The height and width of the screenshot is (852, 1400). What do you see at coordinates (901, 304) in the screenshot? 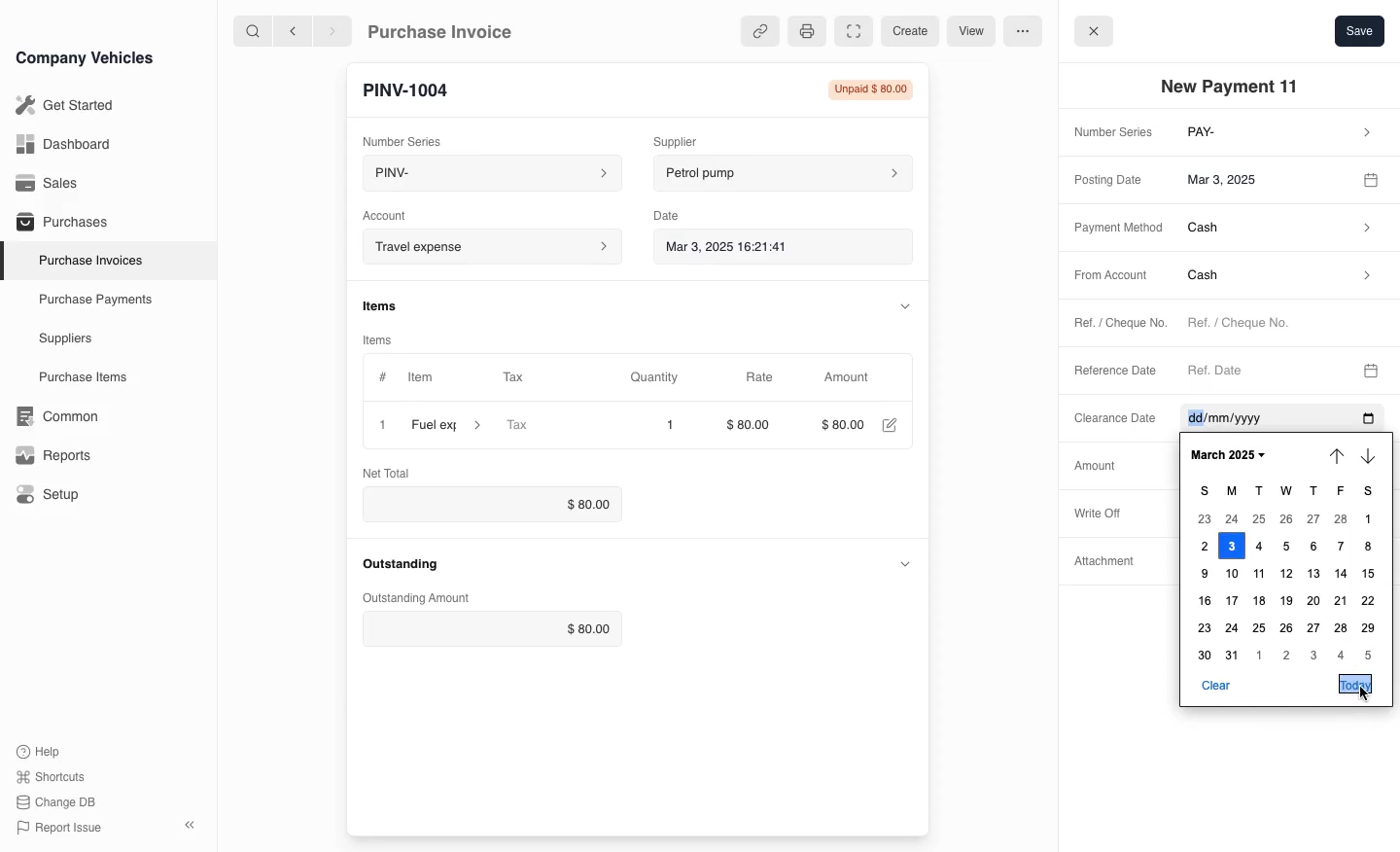
I see `collapse` at bounding box center [901, 304].